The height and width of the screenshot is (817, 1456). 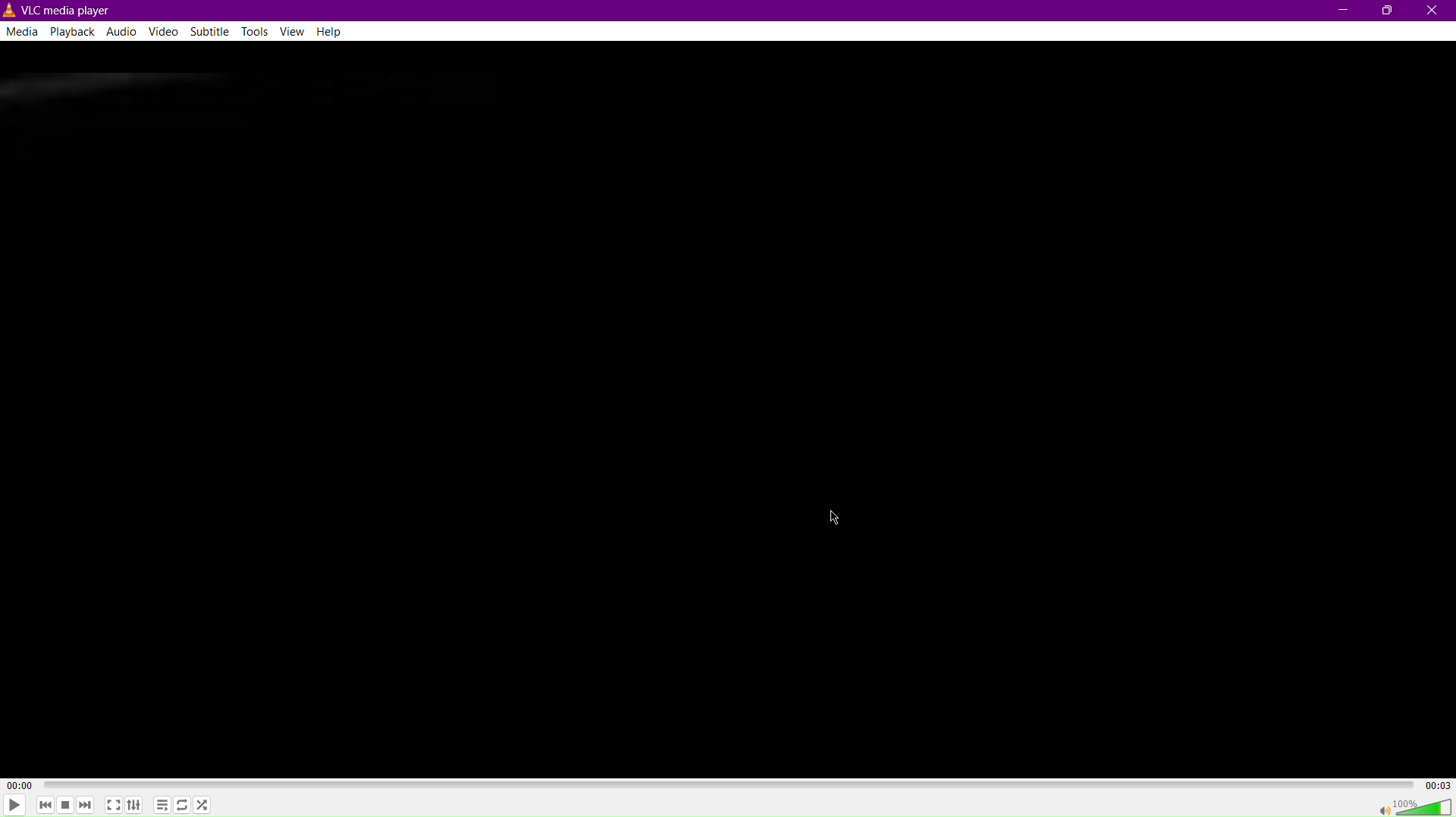 I want to click on Playback, so click(x=77, y=30).